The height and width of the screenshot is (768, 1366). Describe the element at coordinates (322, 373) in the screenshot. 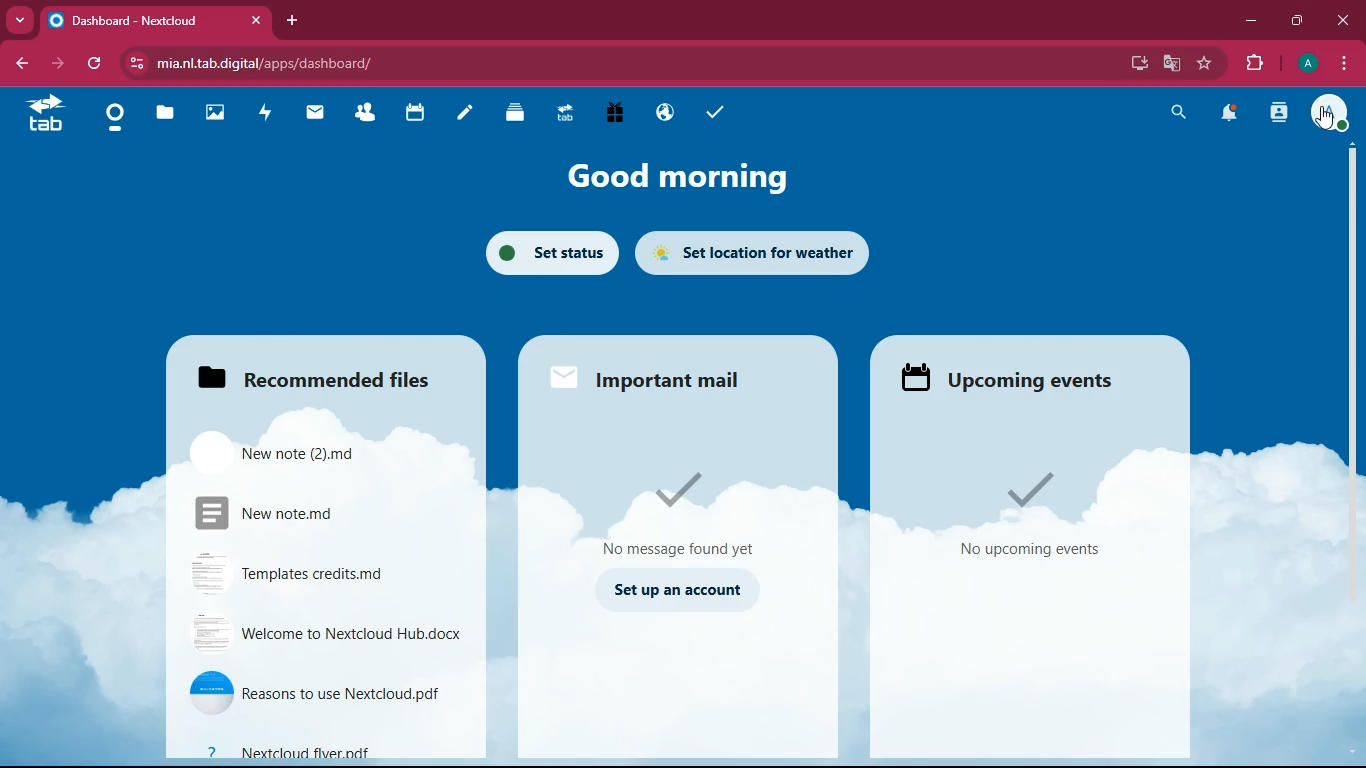

I see `files` at that location.